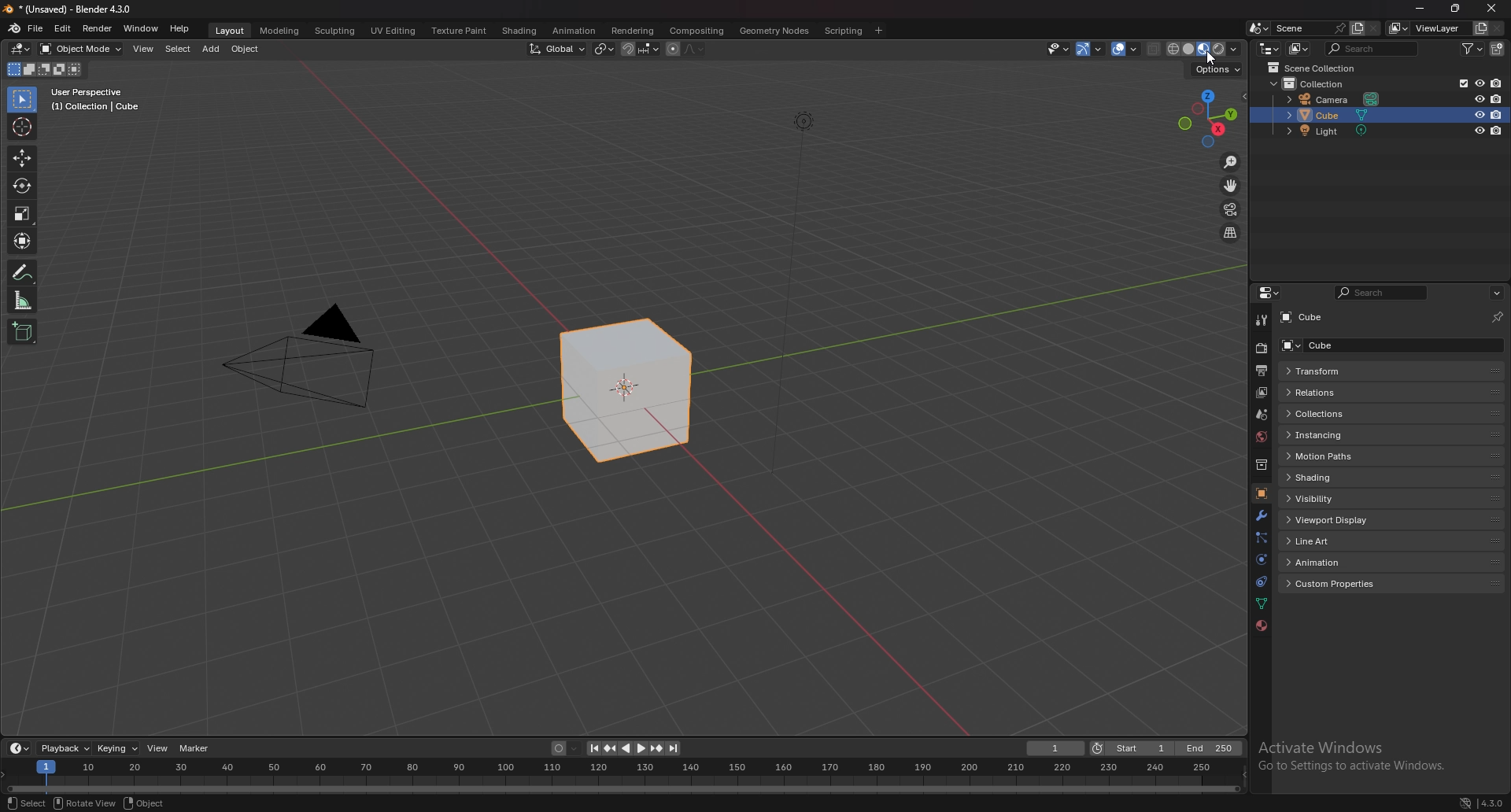  Describe the element at coordinates (1472, 48) in the screenshot. I see `filter` at that location.